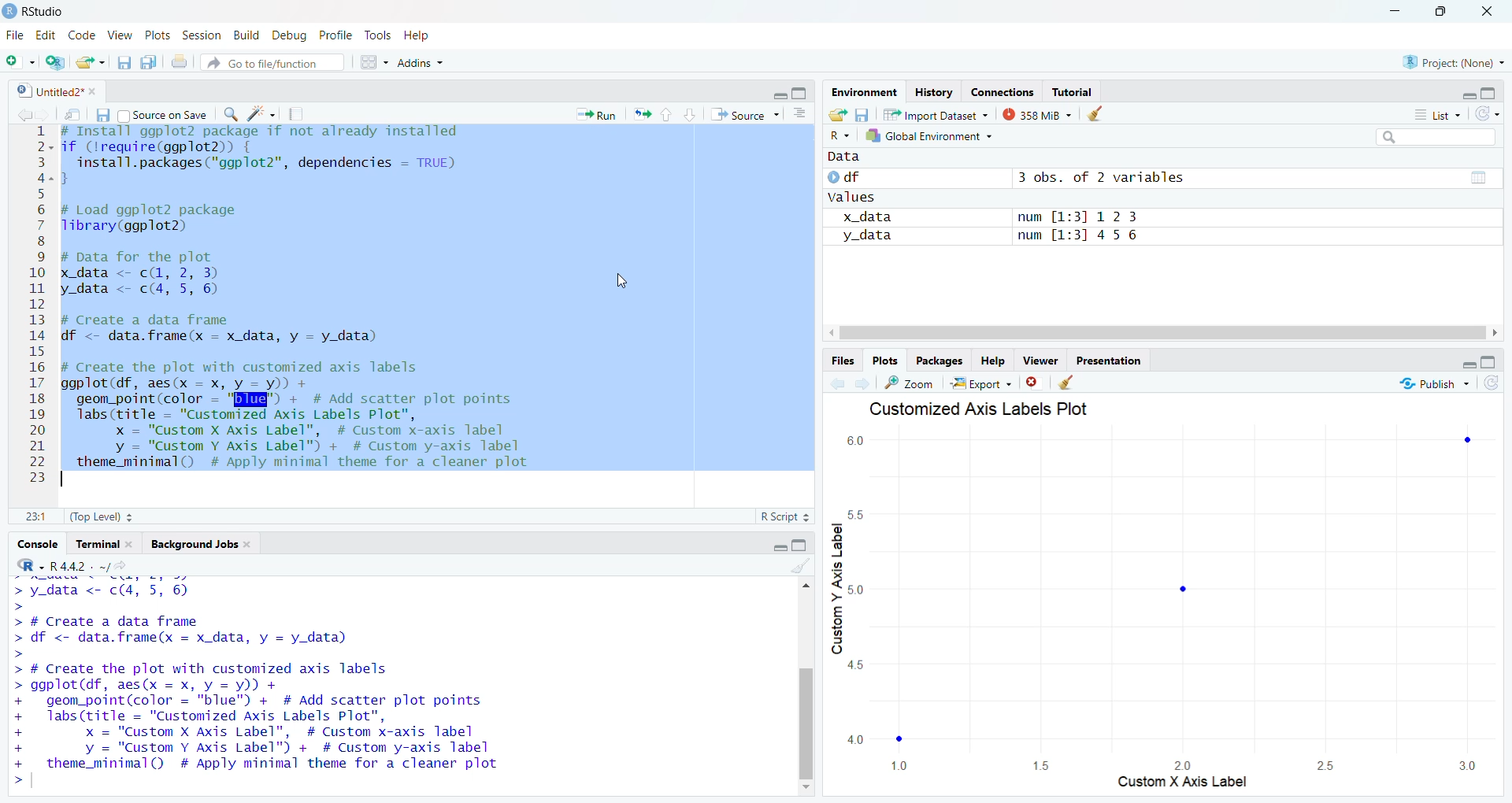  What do you see at coordinates (886, 361) in the screenshot?
I see `; Plots` at bounding box center [886, 361].